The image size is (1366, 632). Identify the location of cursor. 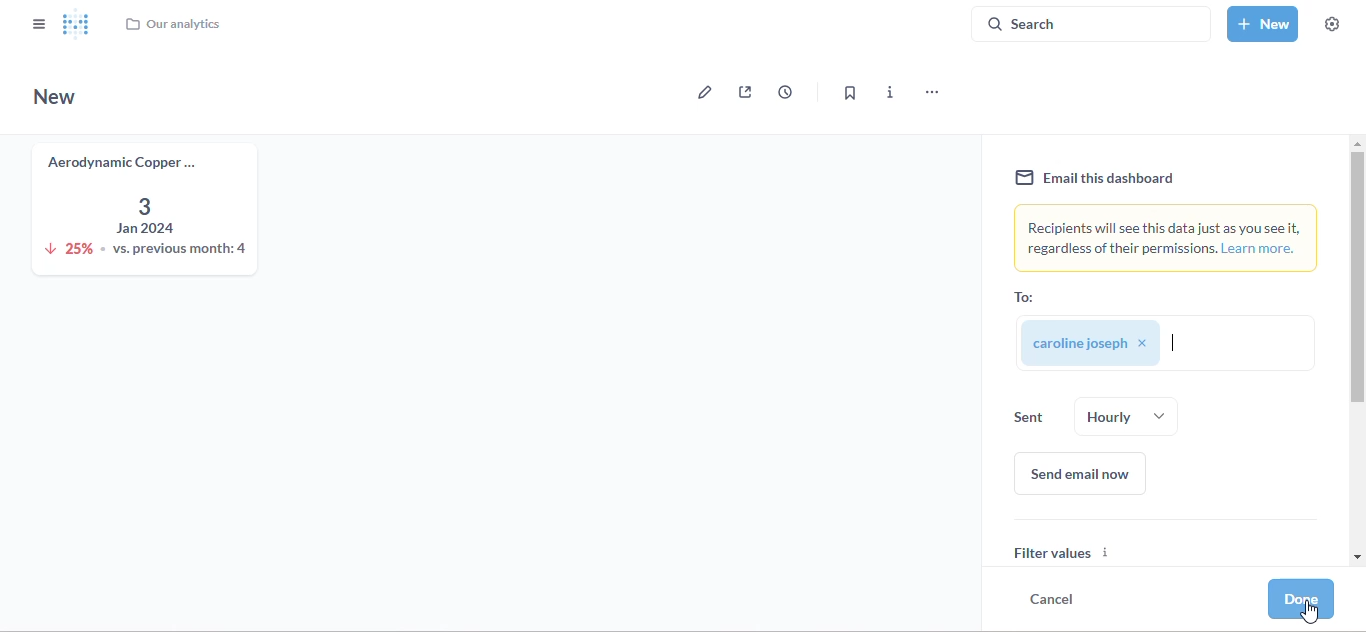
(1310, 613).